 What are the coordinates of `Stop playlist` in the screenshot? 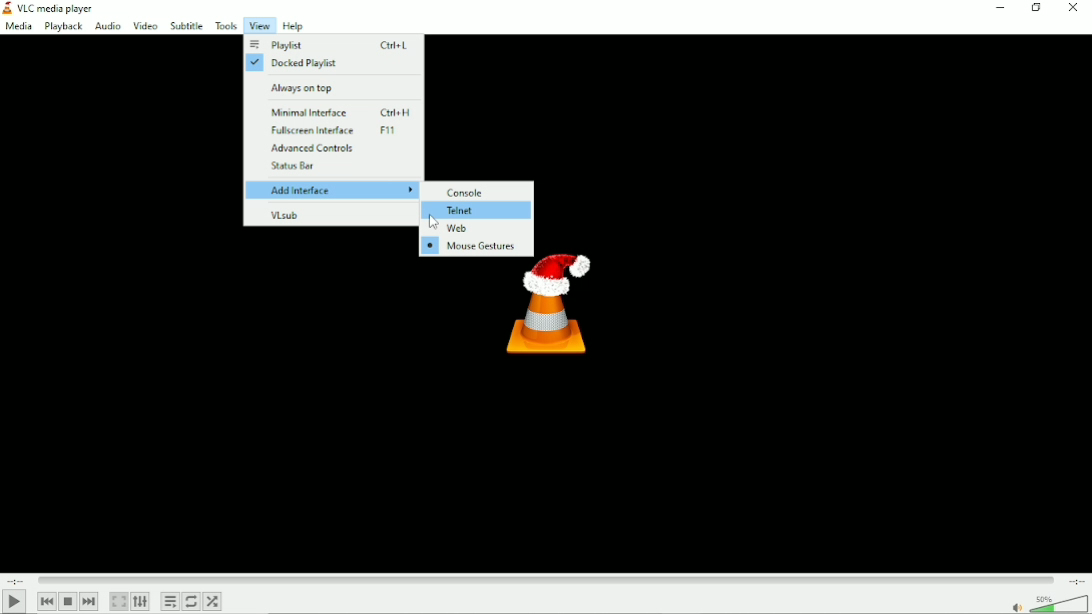 It's located at (68, 601).